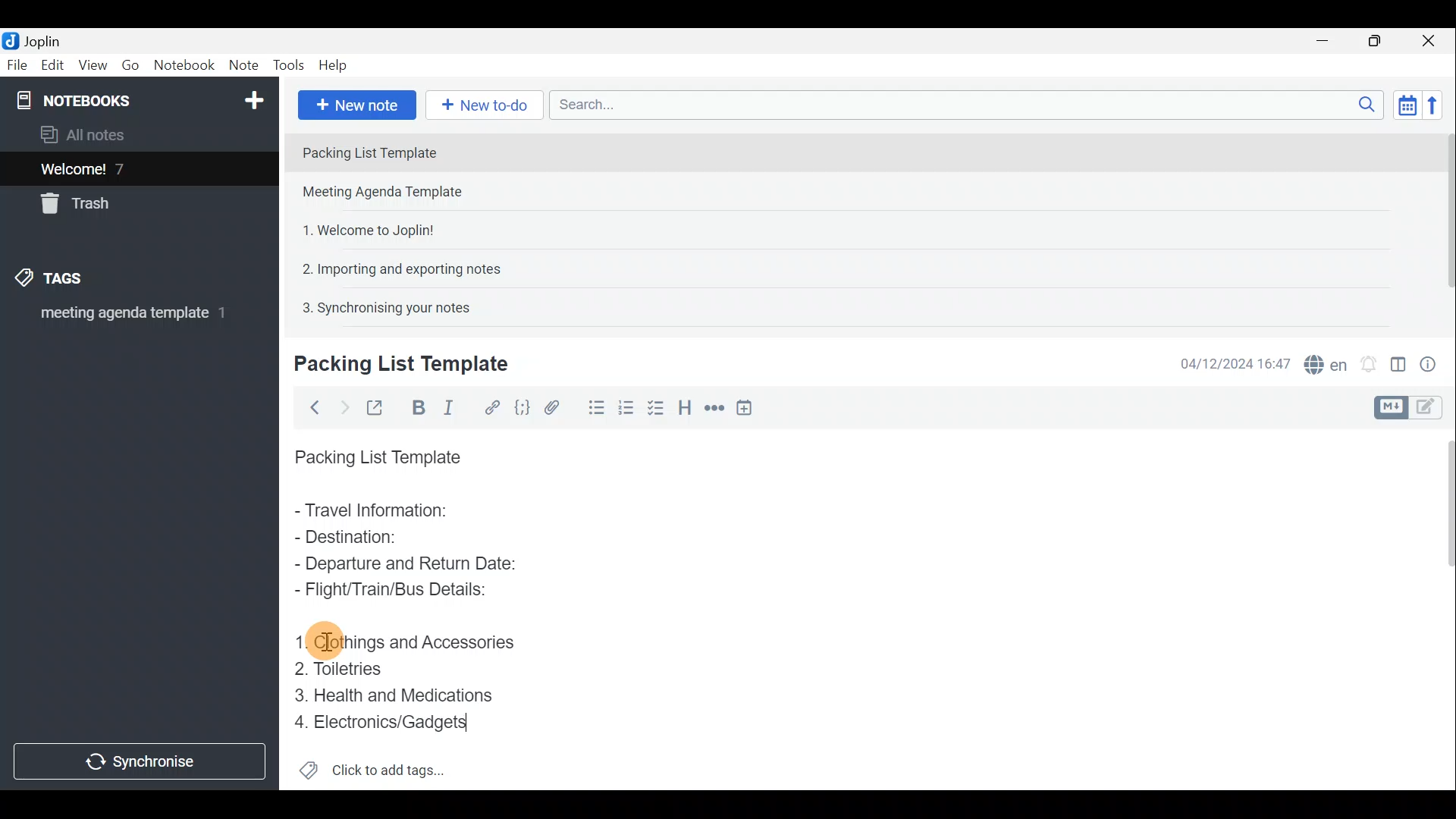  Describe the element at coordinates (1330, 43) in the screenshot. I see `Minimise` at that location.